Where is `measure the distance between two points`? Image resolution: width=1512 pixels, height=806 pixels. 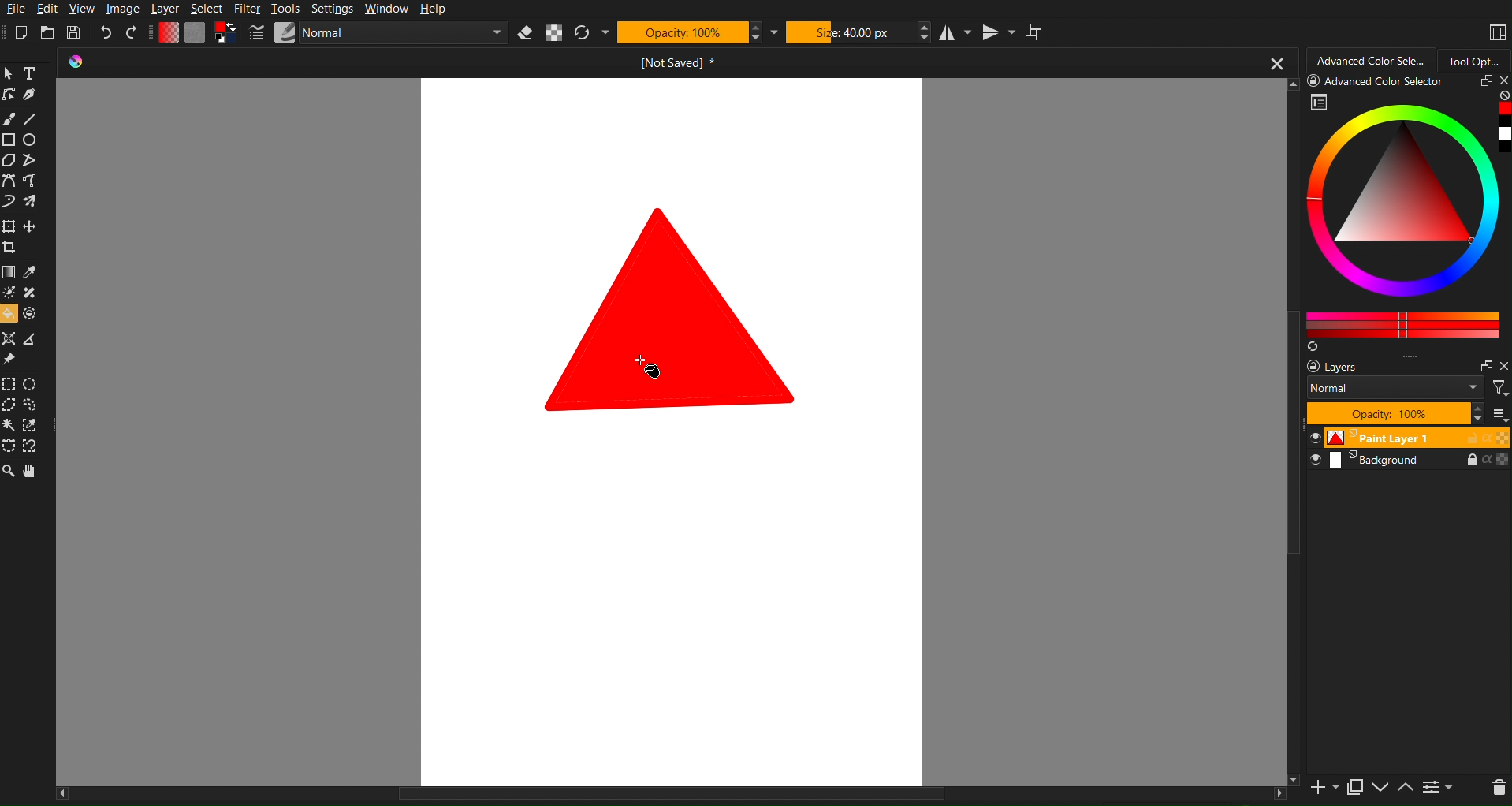
measure the distance between two points is located at coordinates (35, 339).